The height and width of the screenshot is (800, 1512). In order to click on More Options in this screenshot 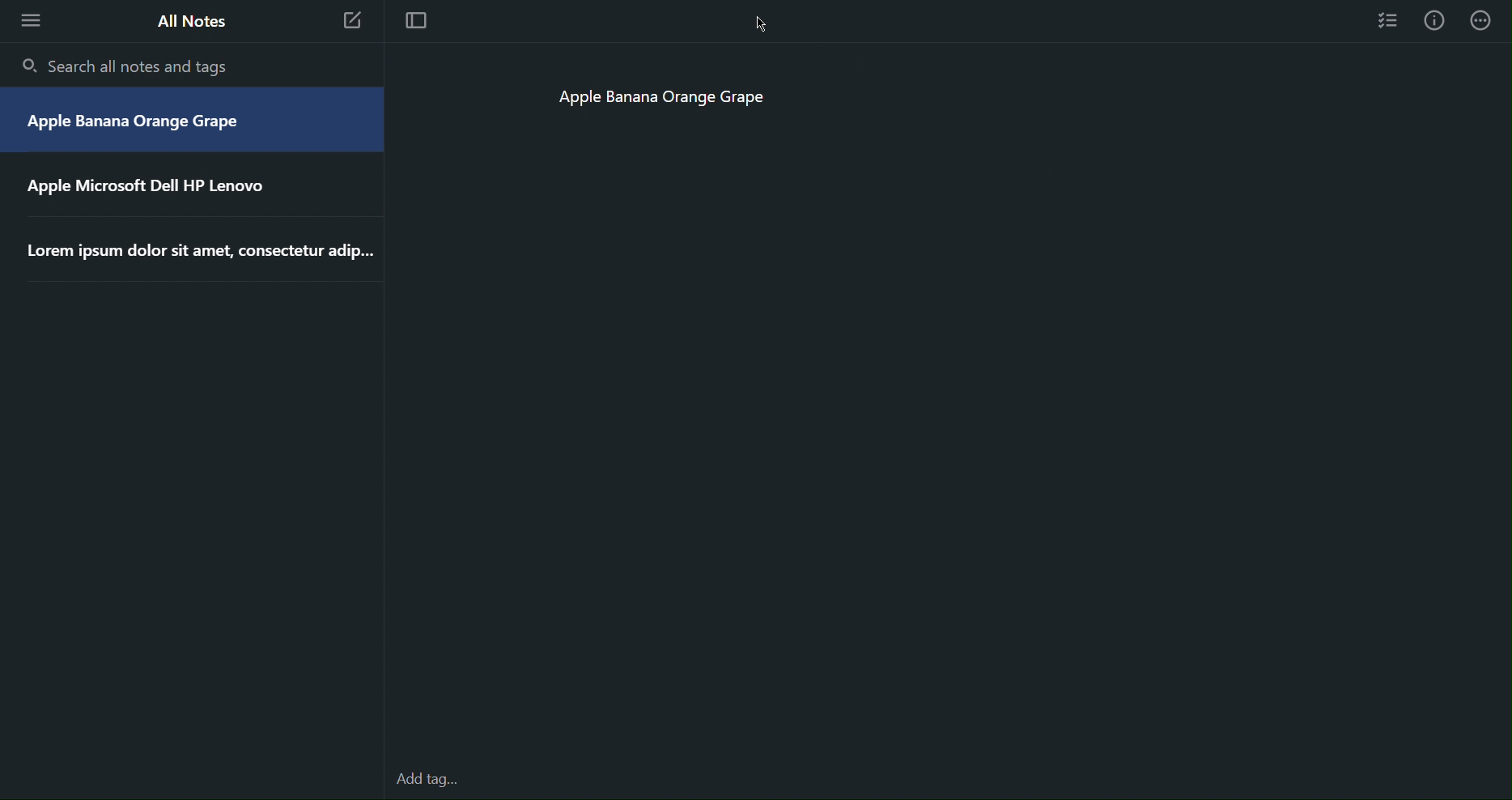, I will do `click(26, 19)`.